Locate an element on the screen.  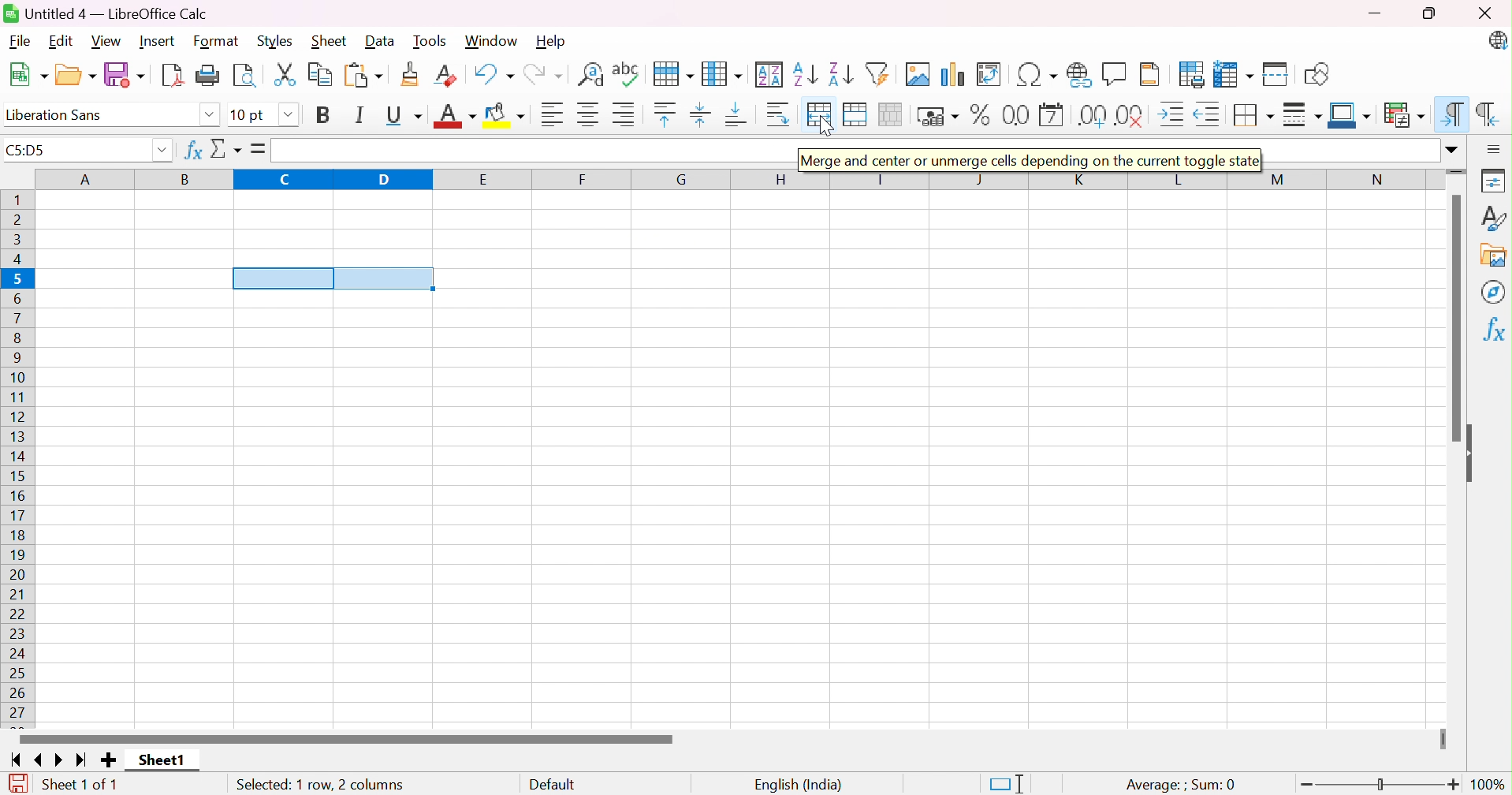
Redo is located at coordinates (546, 73).